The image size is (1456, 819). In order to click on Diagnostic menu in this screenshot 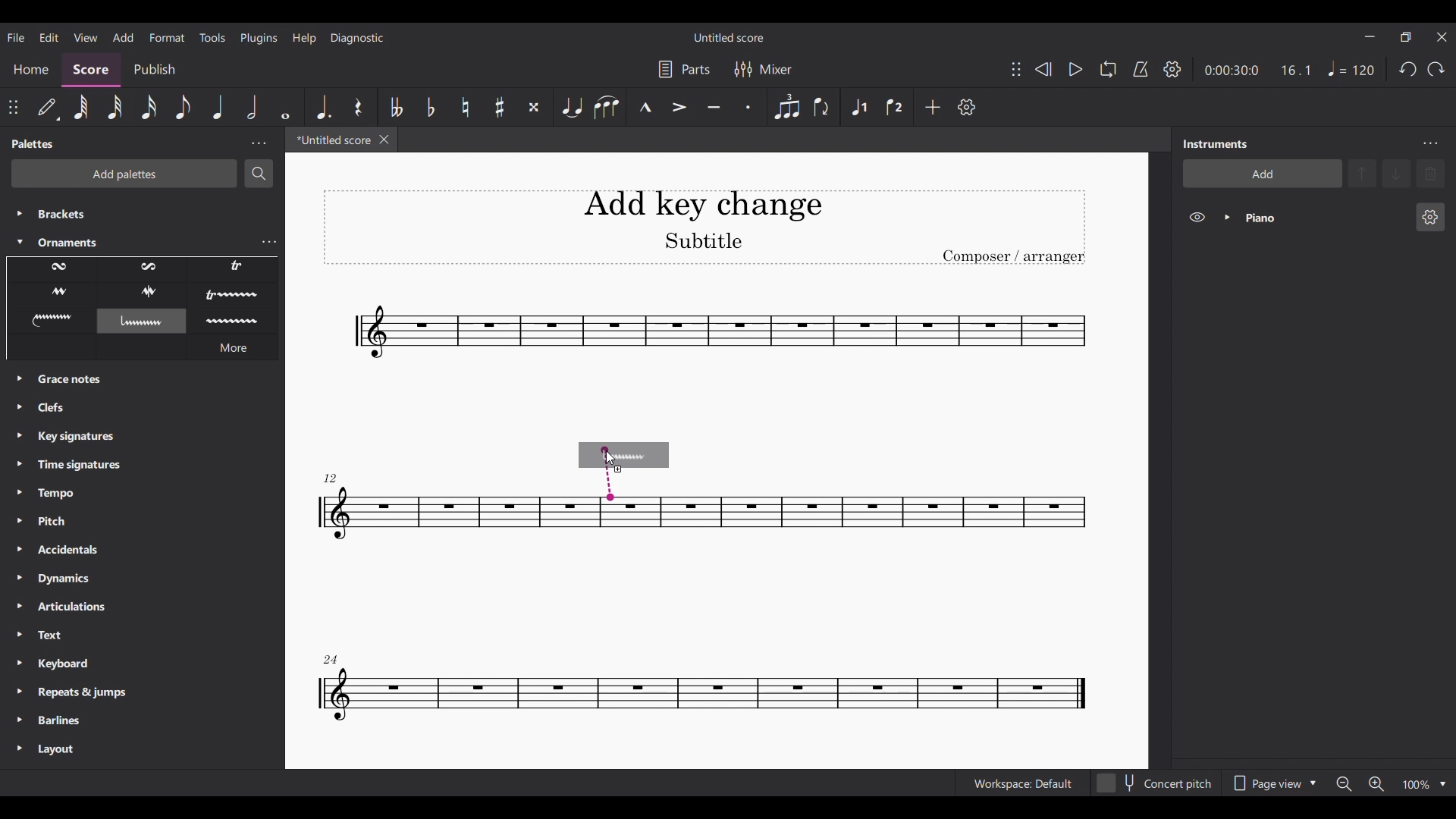, I will do `click(357, 38)`.